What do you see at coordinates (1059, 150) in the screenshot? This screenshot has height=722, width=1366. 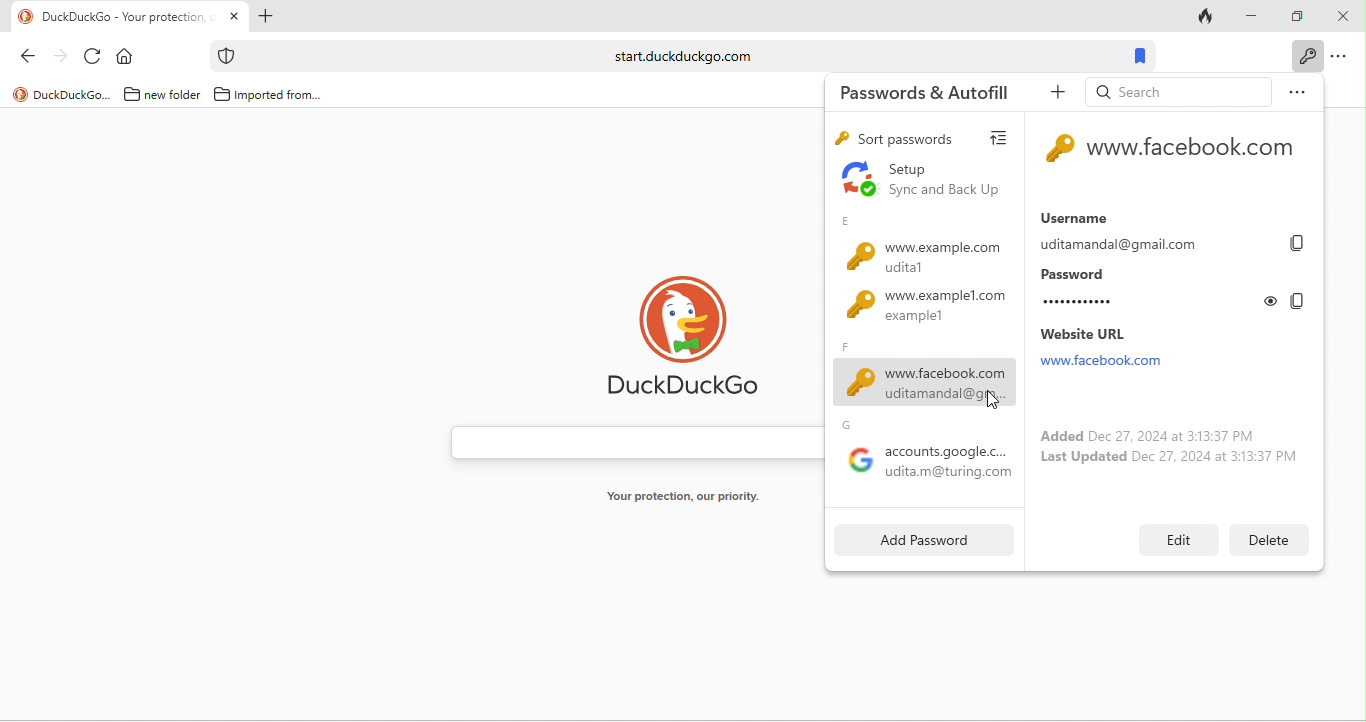 I see `key icon` at bounding box center [1059, 150].